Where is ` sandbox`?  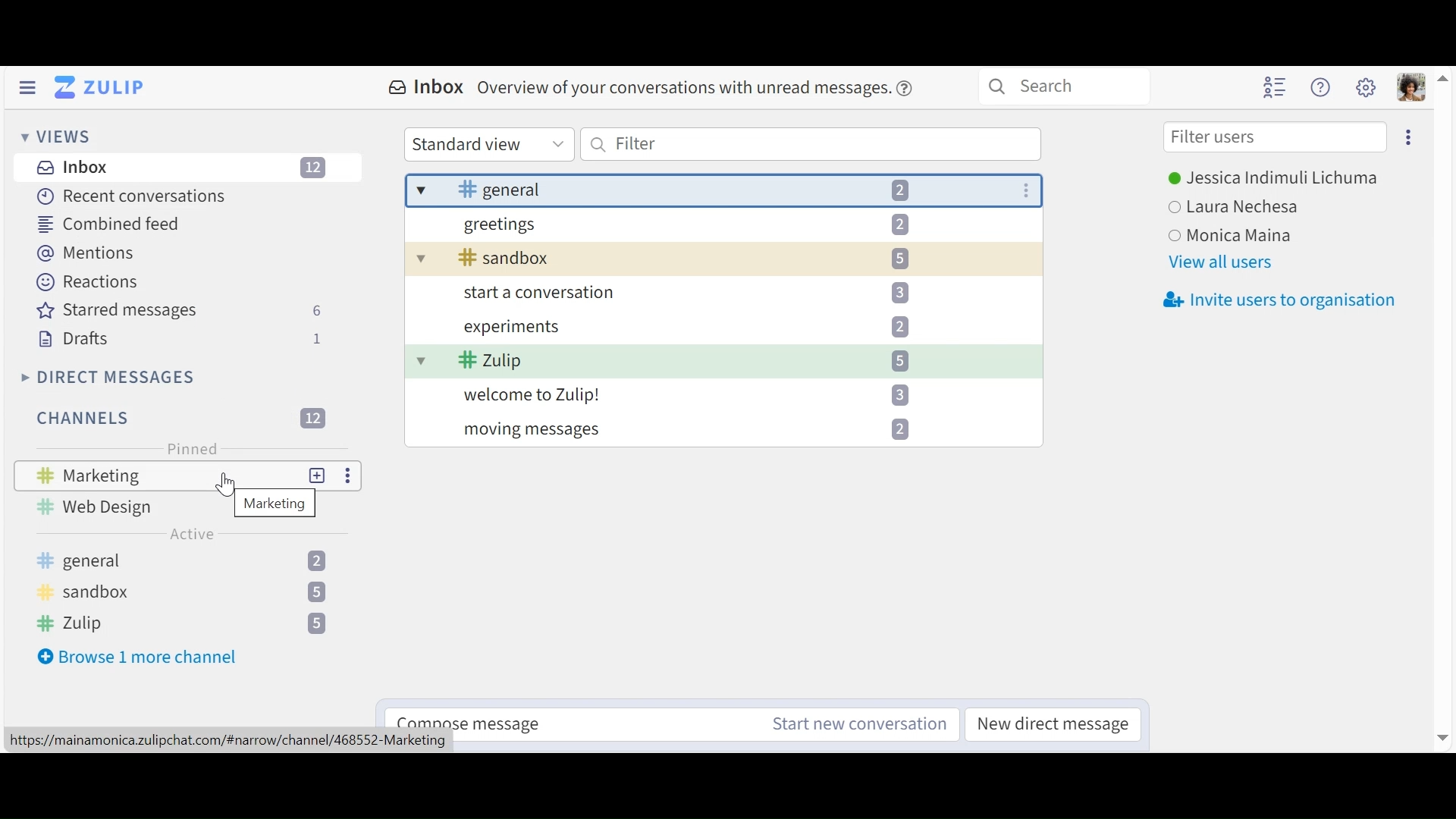
 sandbox is located at coordinates (708, 259).